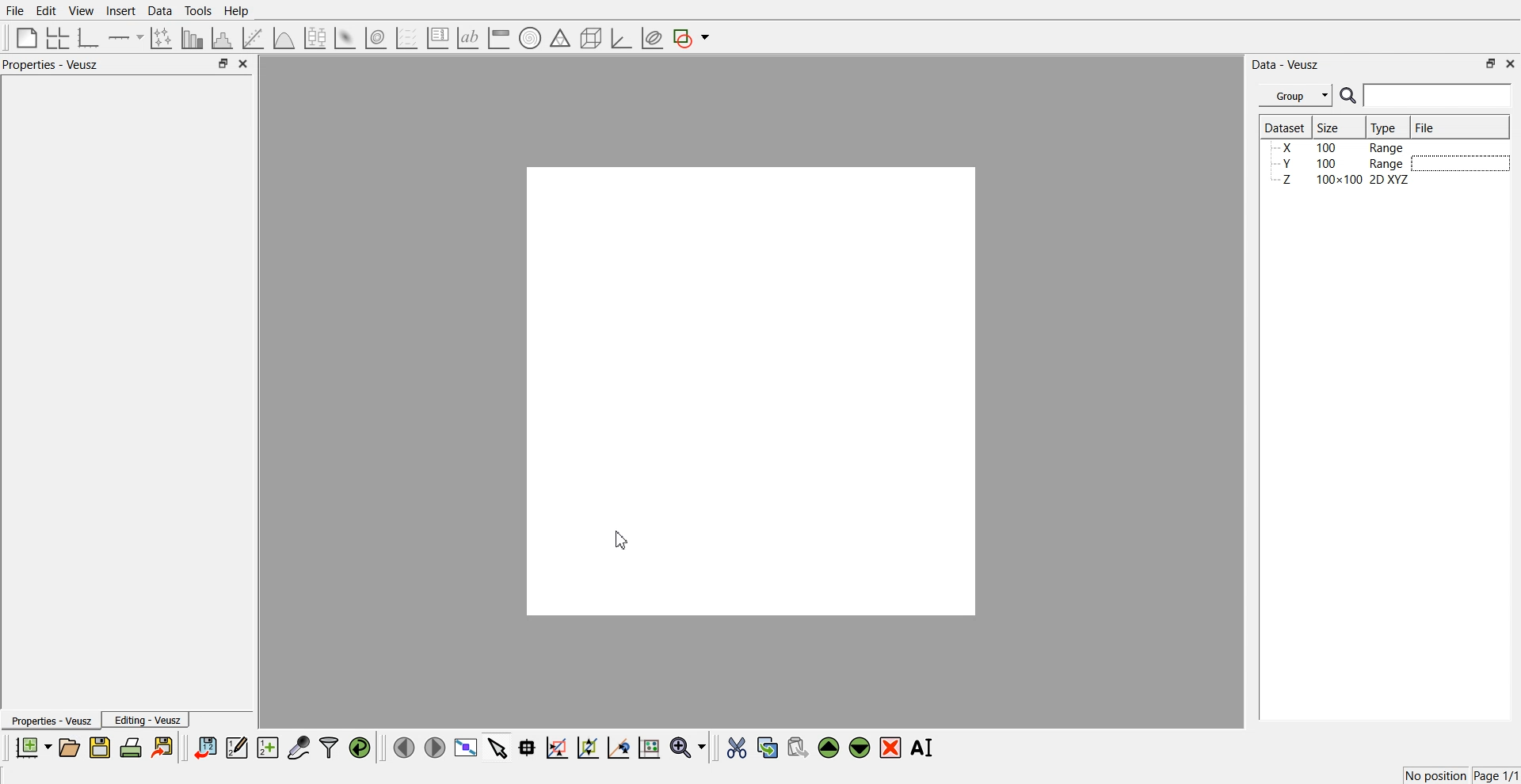 Image resolution: width=1521 pixels, height=784 pixels. What do you see at coordinates (737, 748) in the screenshot?
I see `Cut the selected widget` at bounding box center [737, 748].